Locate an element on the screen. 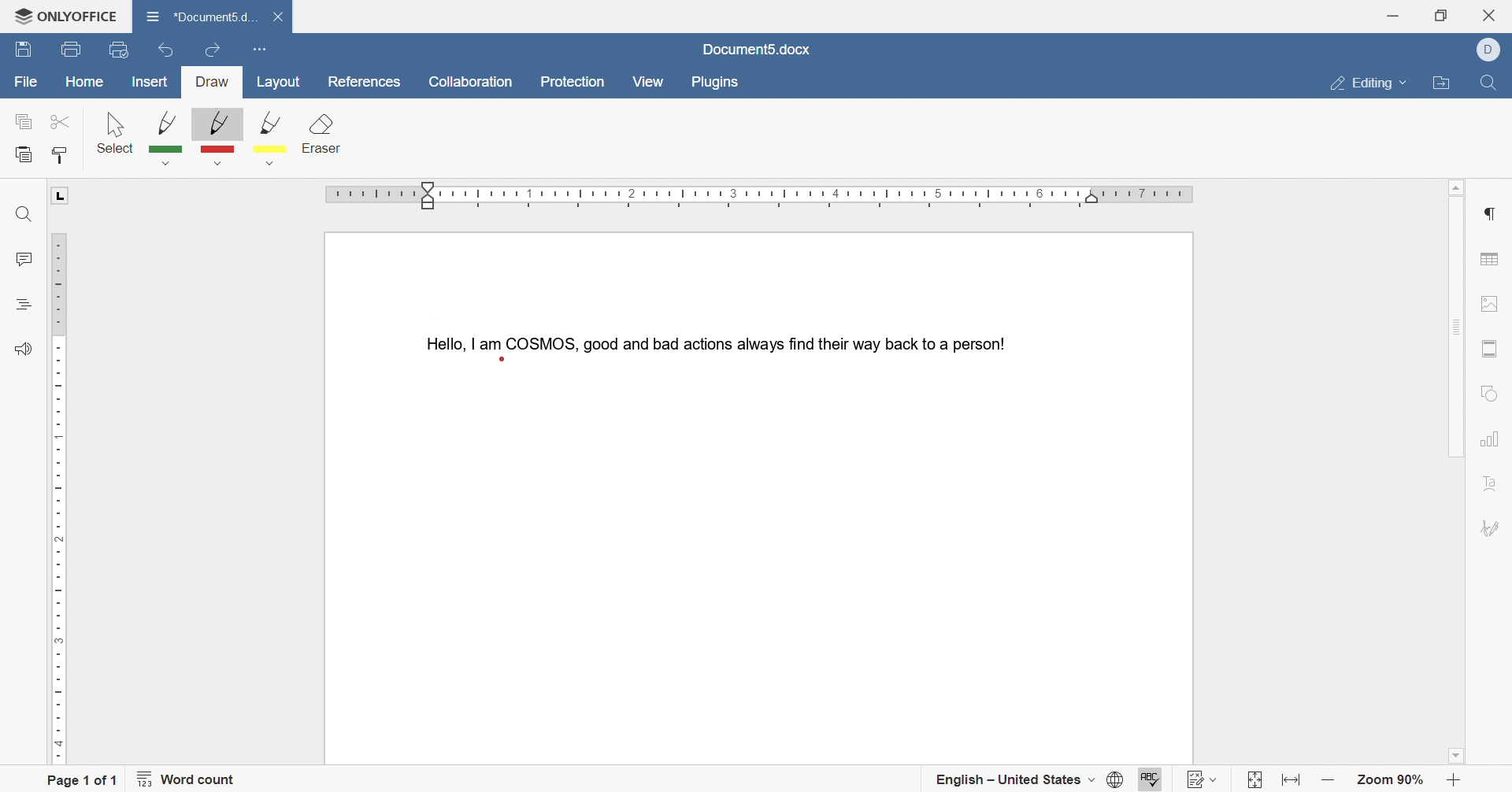 The height and width of the screenshot is (792, 1512). save is located at coordinates (24, 51).